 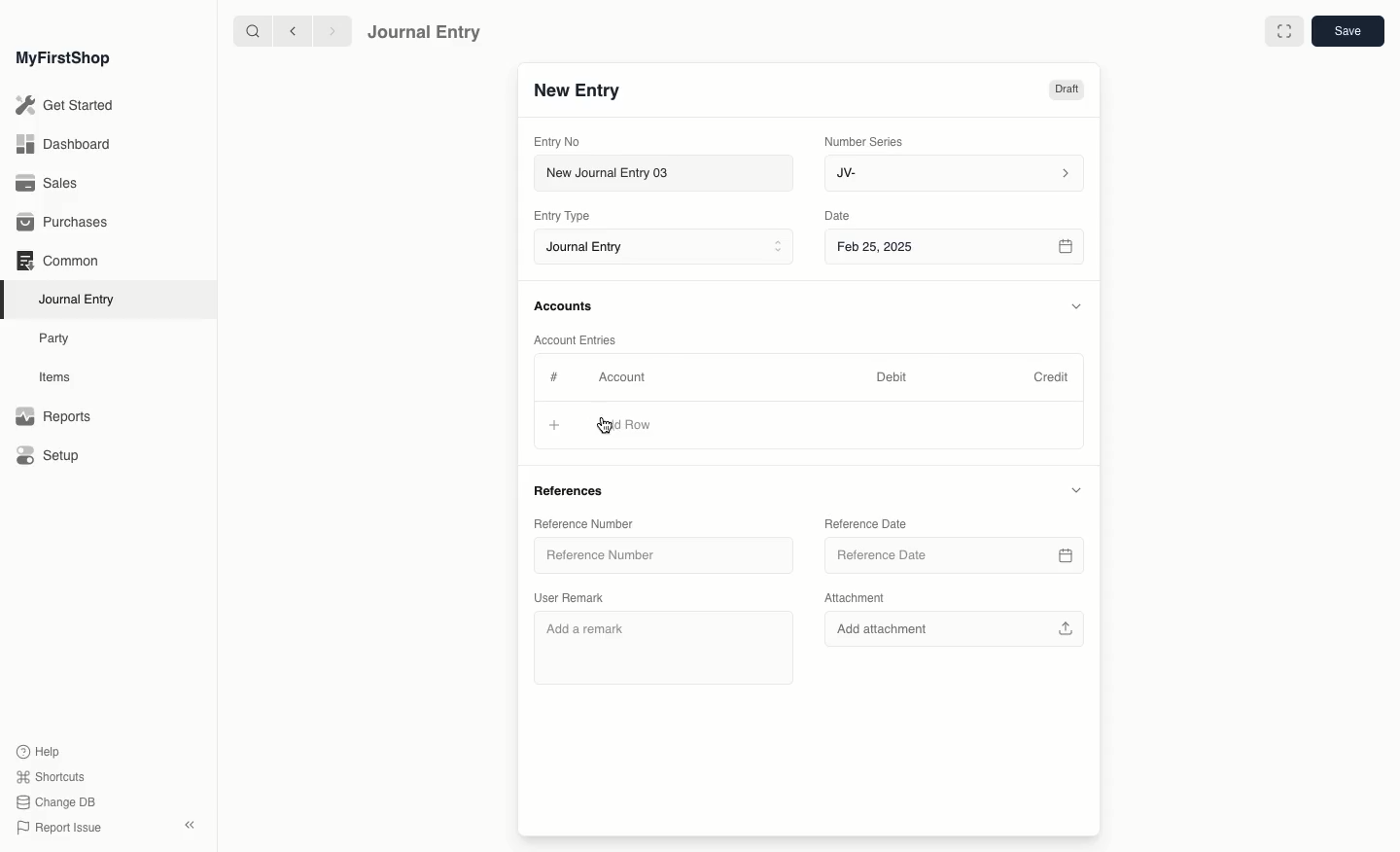 I want to click on Help, so click(x=36, y=750).